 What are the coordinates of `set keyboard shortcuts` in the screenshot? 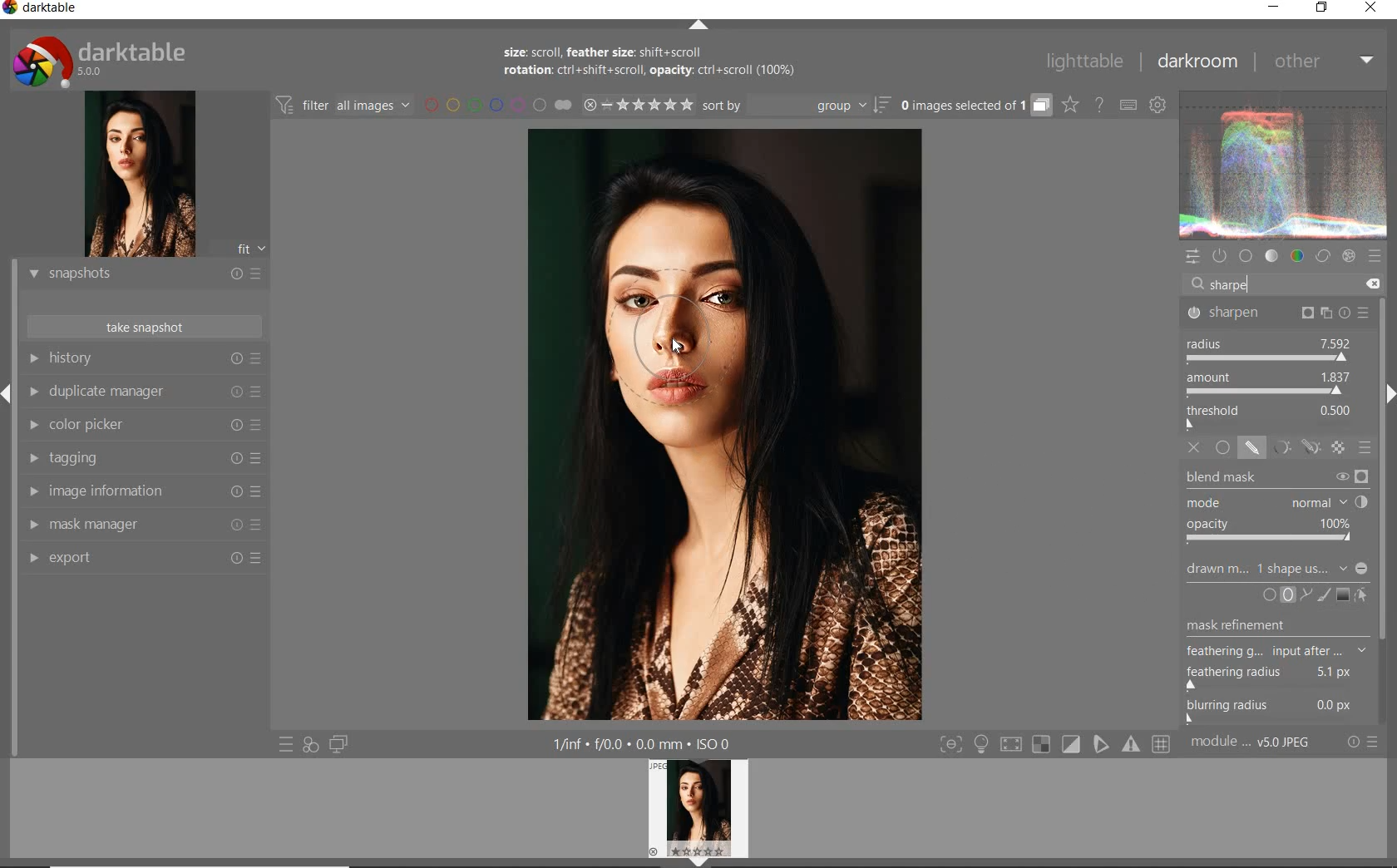 It's located at (1127, 106).